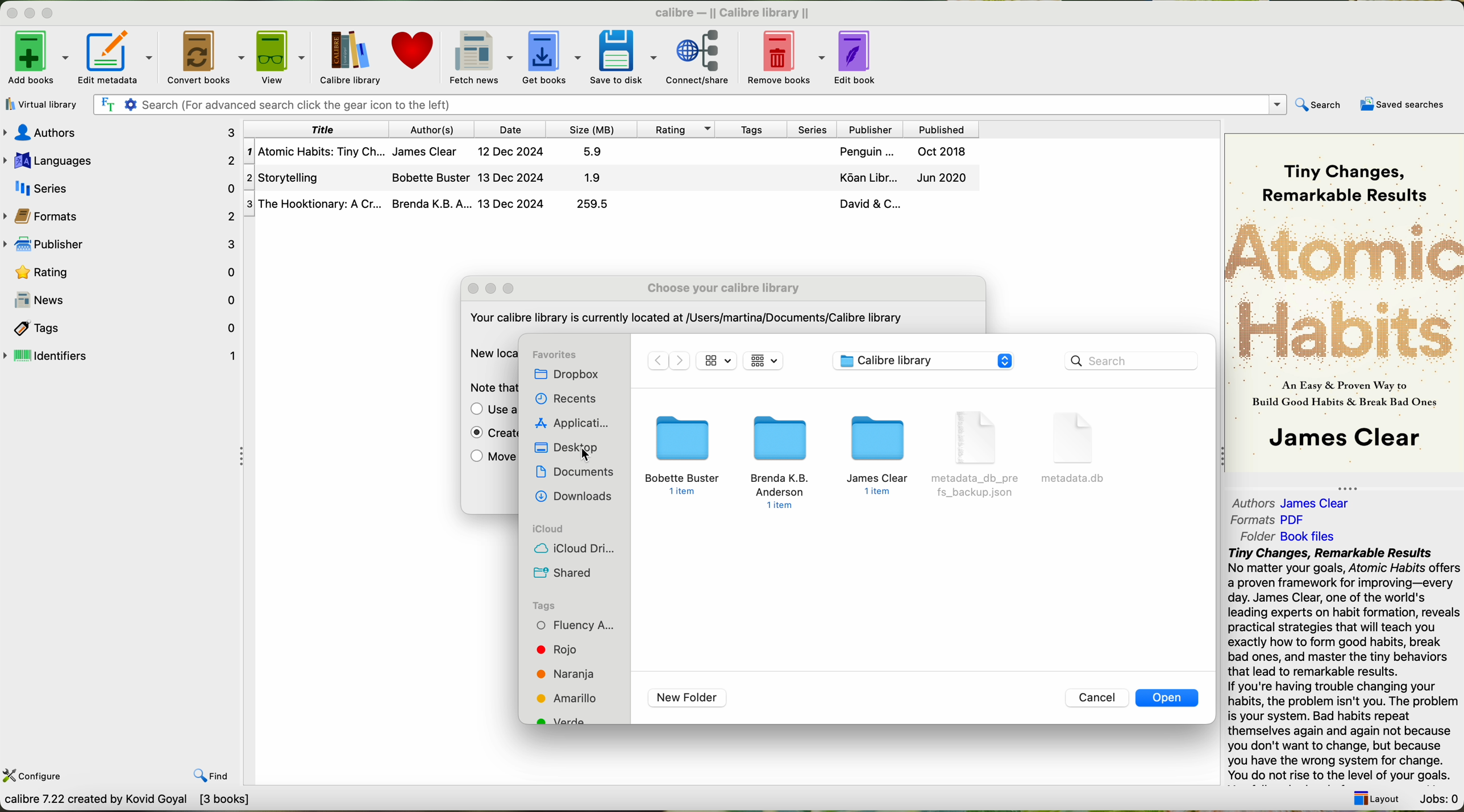 Image resolution: width=1464 pixels, height=812 pixels. What do you see at coordinates (55, 14) in the screenshot?
I see `maximize program` at bounding box center [55, 14].